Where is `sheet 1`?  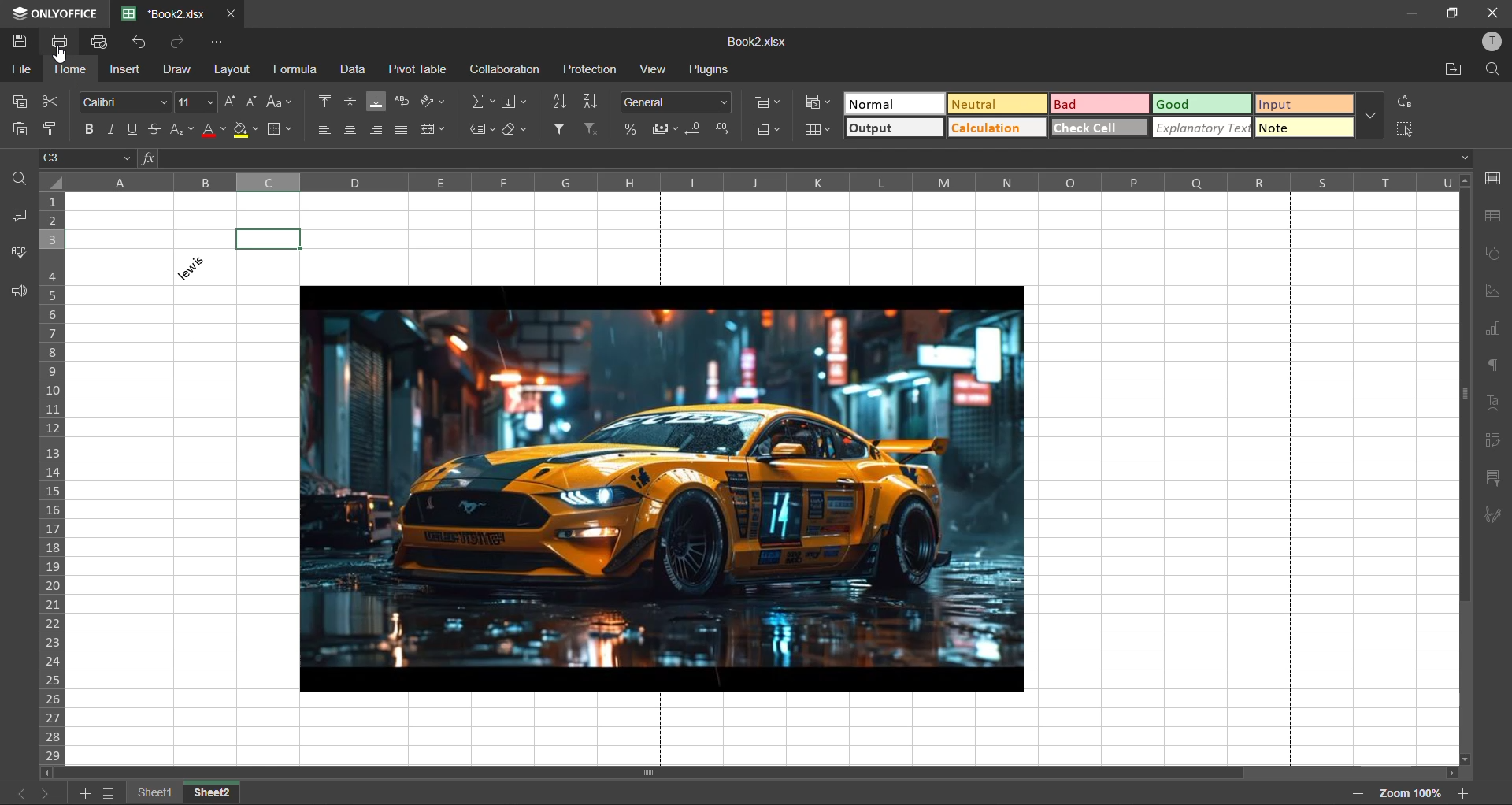
sheet 1 is located at coordinates (155, 793).